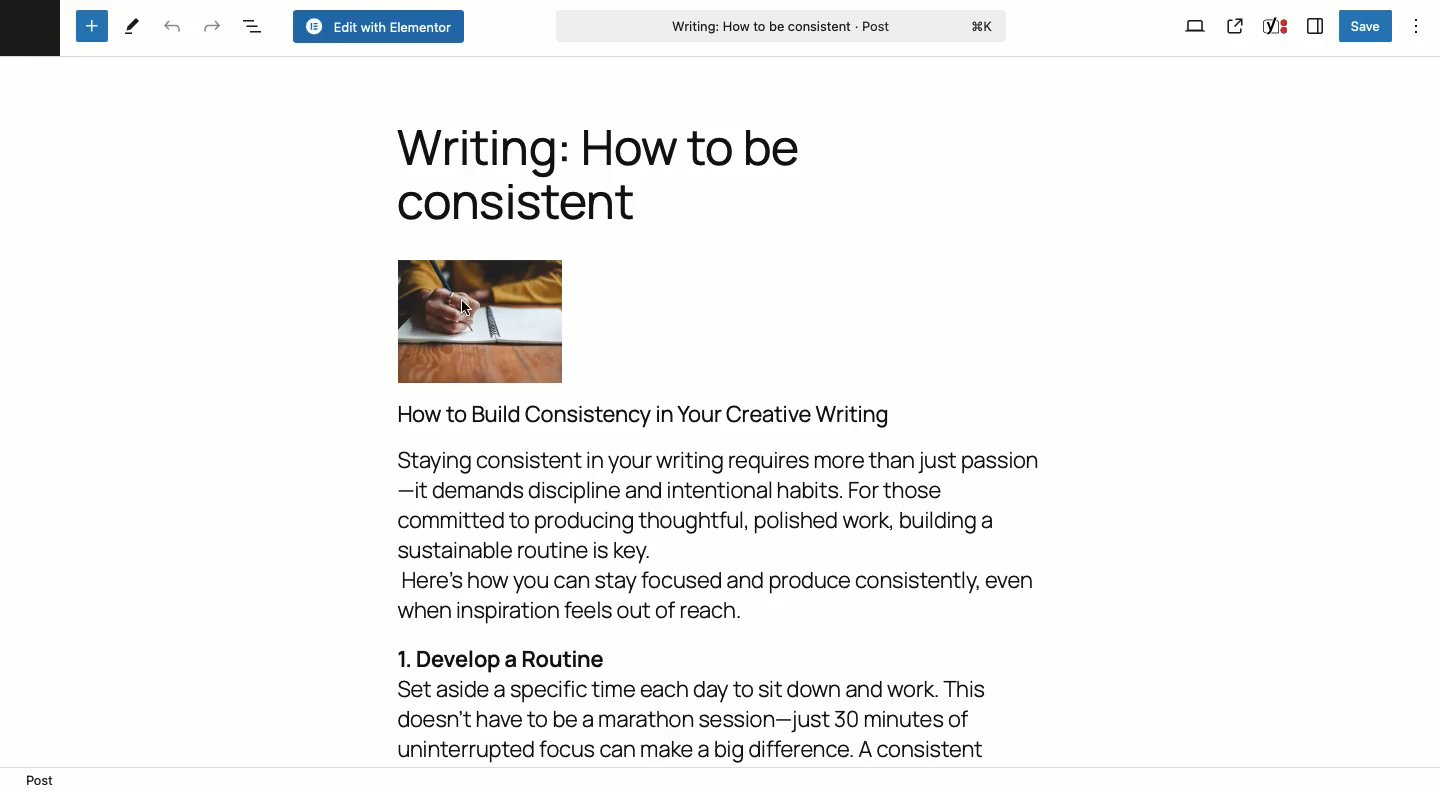 This screenshot has width=1440, height=792. What do you see at coordinates (377, 26) in the screenshot?
I see `Edit with elementor` at bounding box center [377, 26].